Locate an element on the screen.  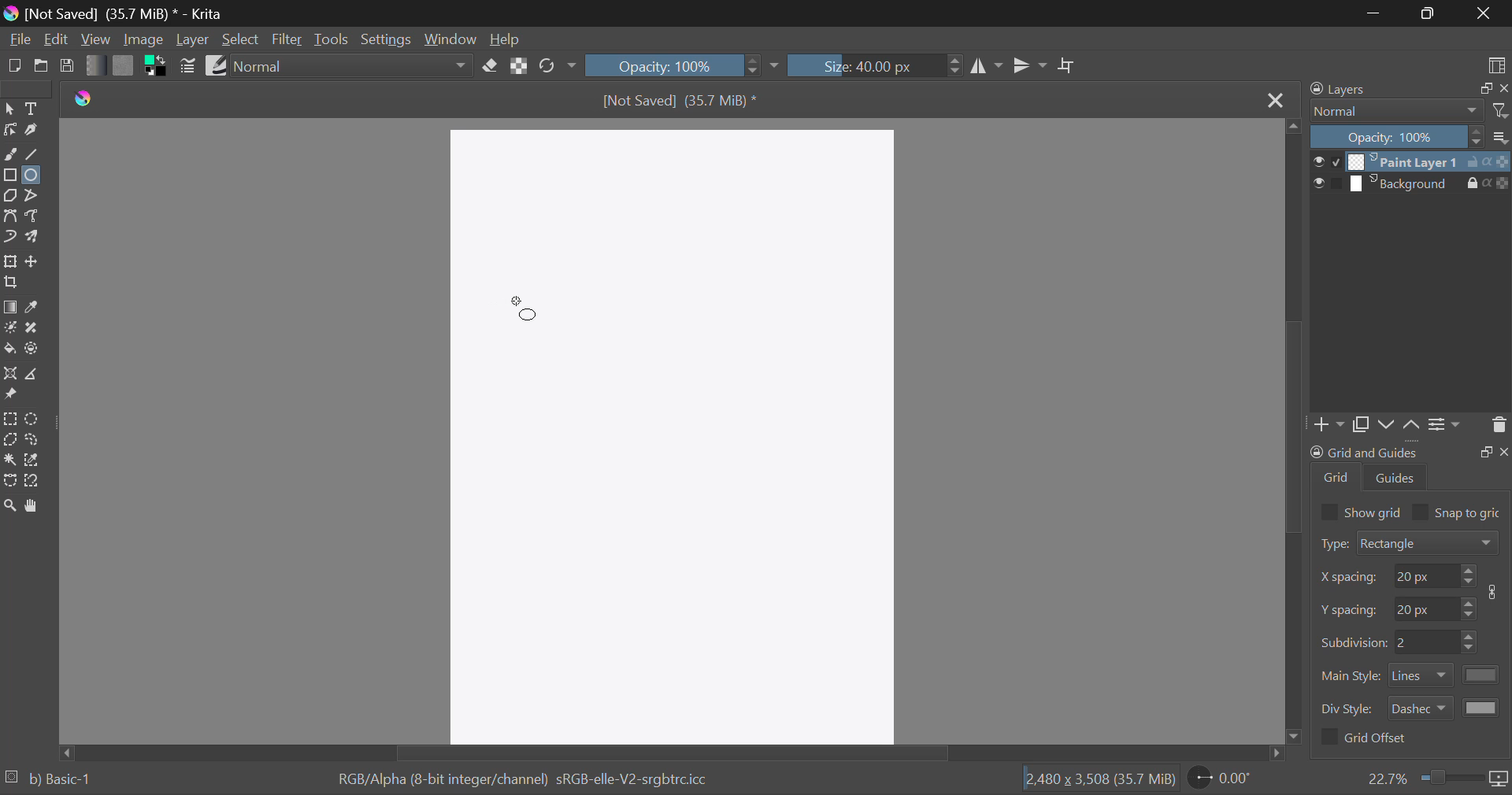
Edit is located at coordinates (57, 39).